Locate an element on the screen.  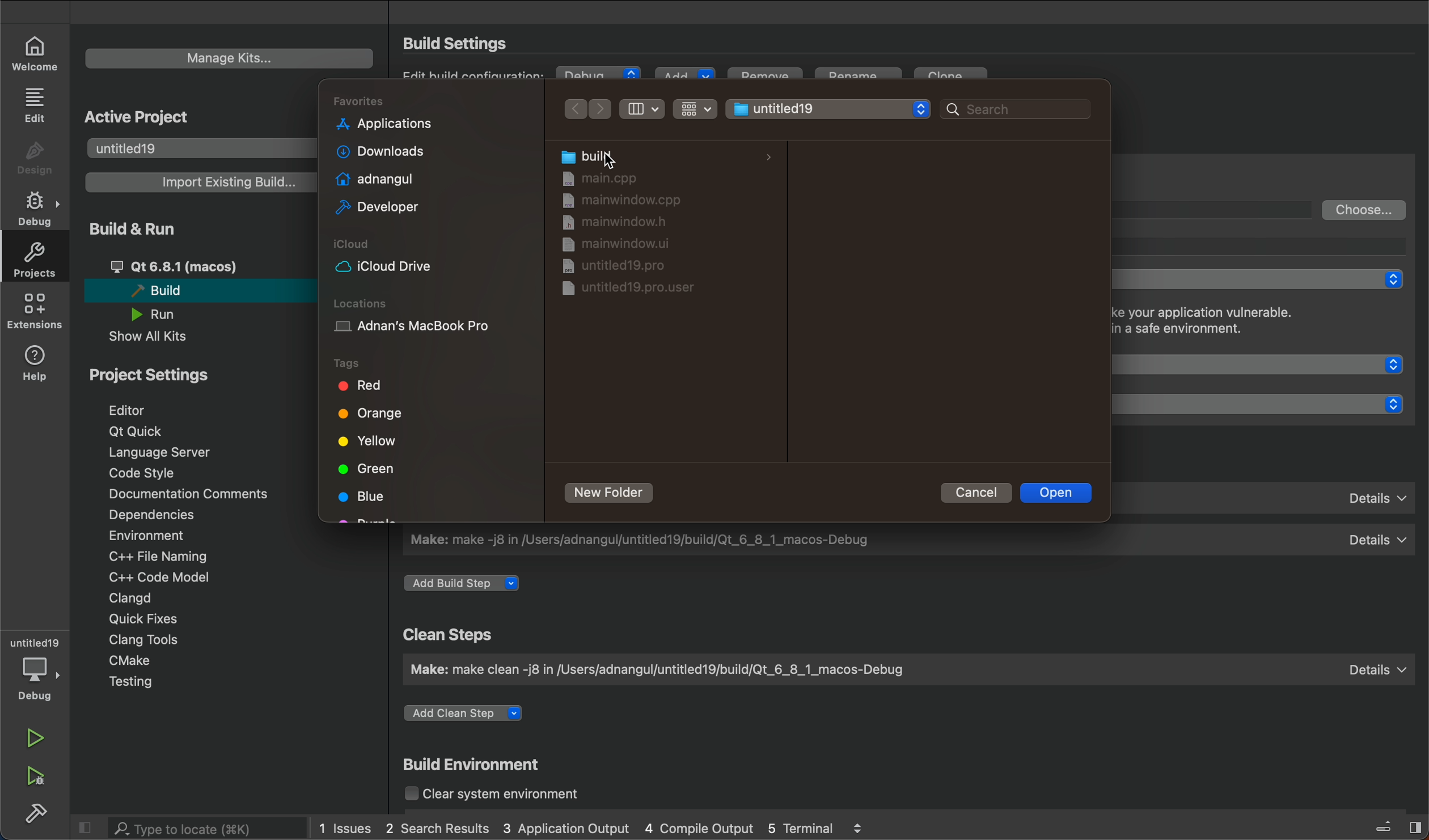
yellow is located at coordinates (367, 442).